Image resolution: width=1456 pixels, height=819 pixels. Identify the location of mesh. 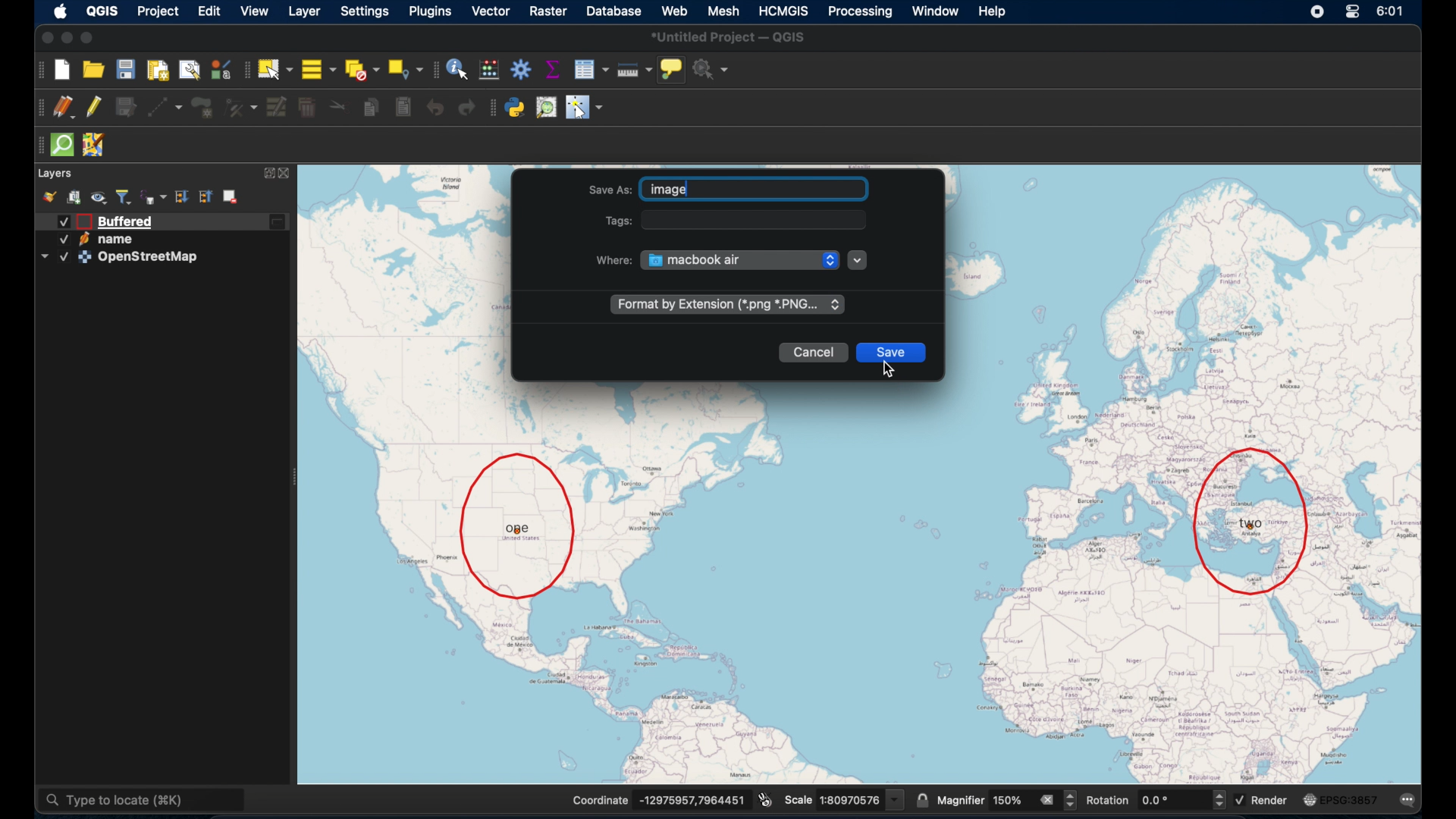
(725, 10).